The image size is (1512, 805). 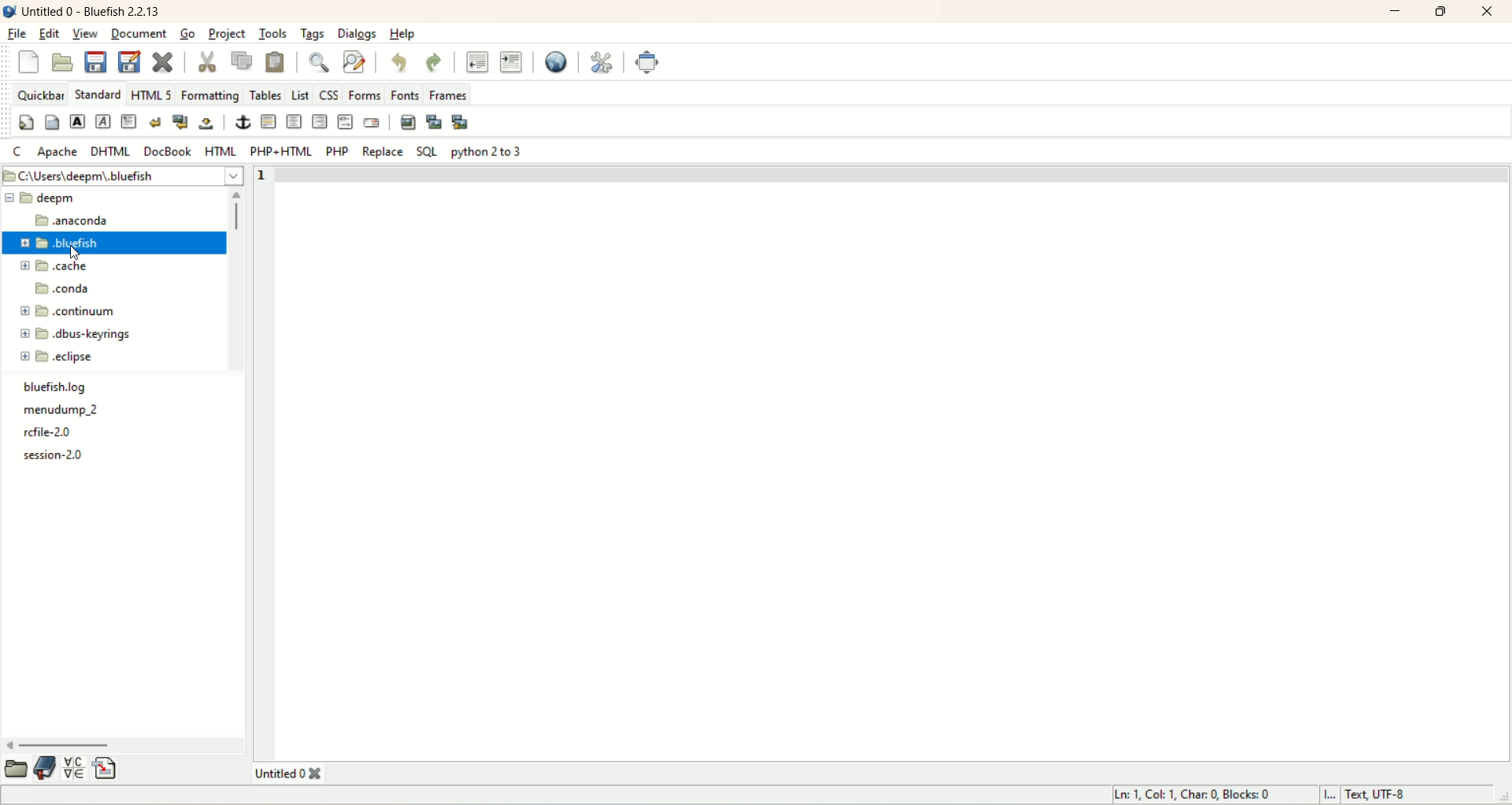 I want to click on DHTML, so click(x=111, y=150).